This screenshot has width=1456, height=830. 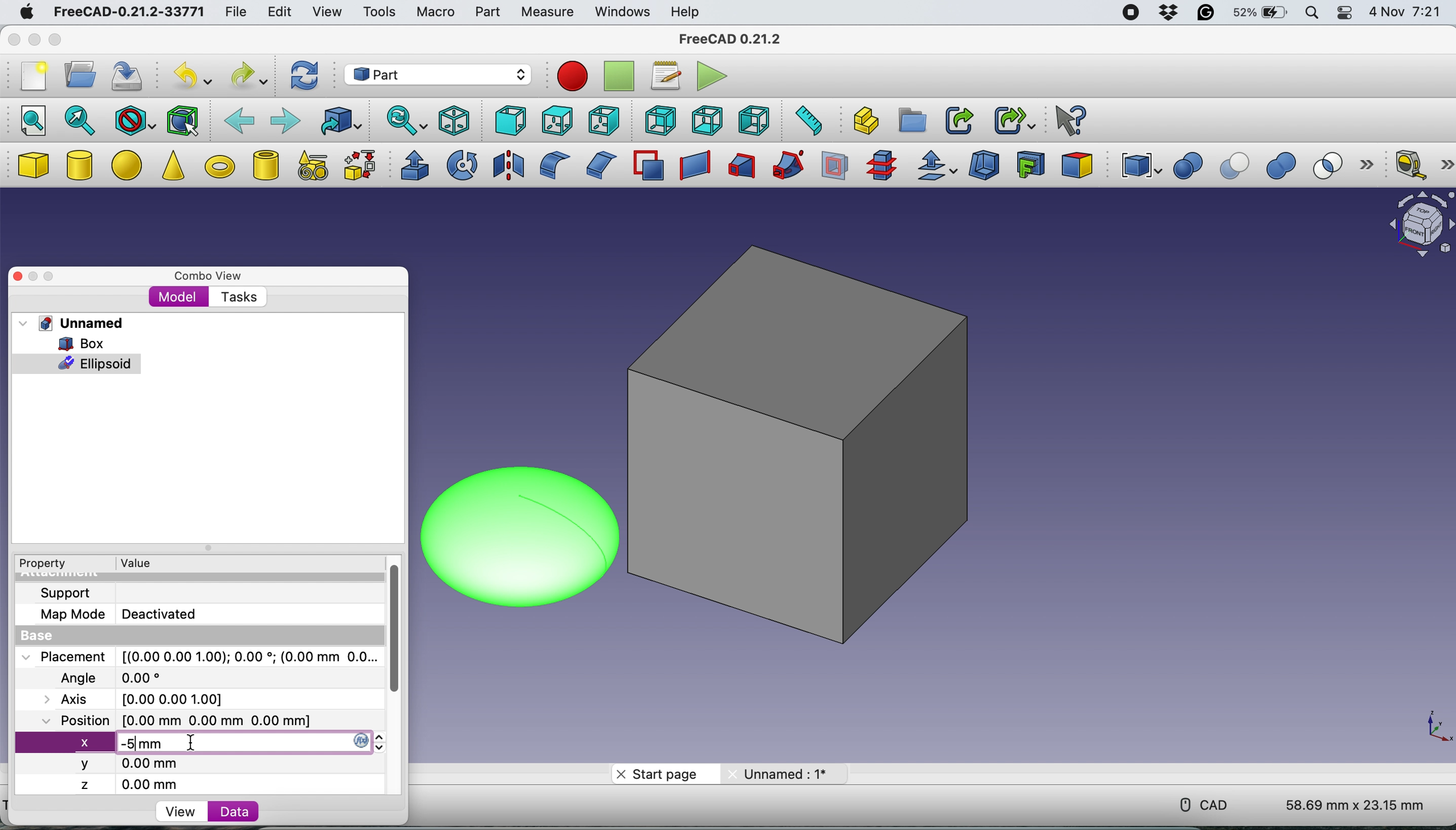 I want to click on redo, so click(x=248, y=76).